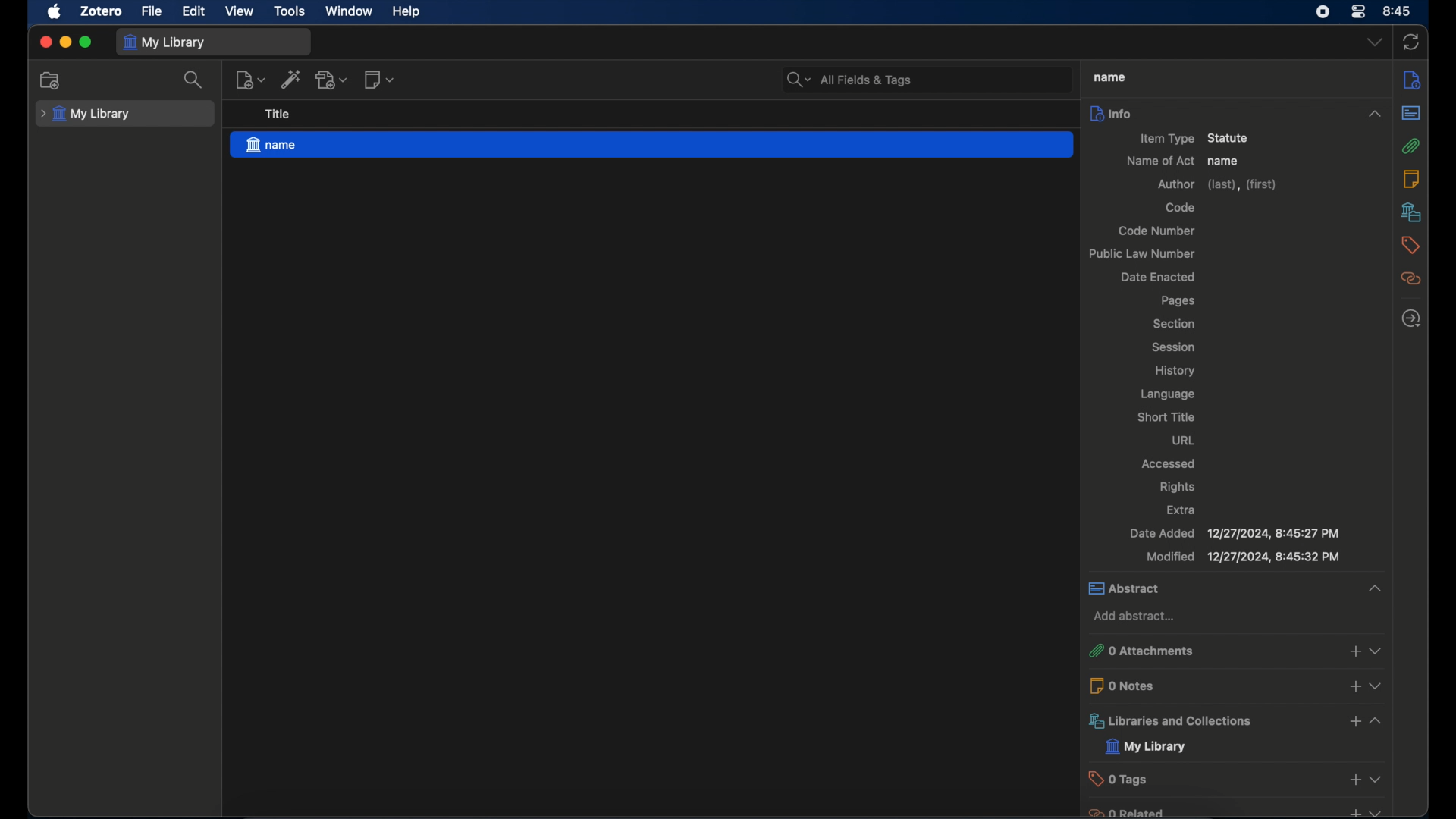 This screenshot has height=819, width=1456. What do you see at coordinates (1354, 780) in the screenshot?
I see `add tags` at bounding box center [1354, 780].